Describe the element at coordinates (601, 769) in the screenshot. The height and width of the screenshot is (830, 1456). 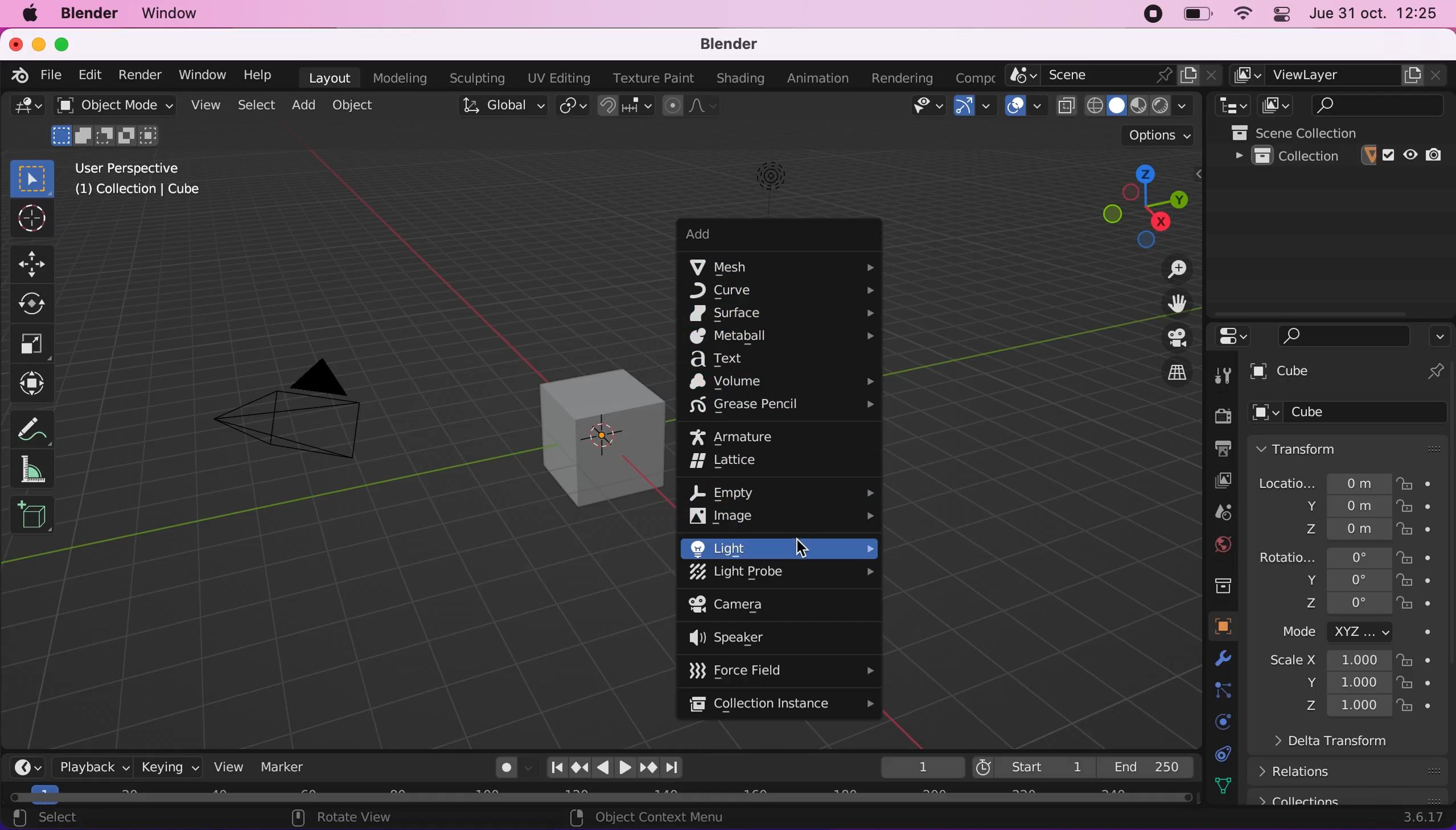
I see `Play animation` at that location.